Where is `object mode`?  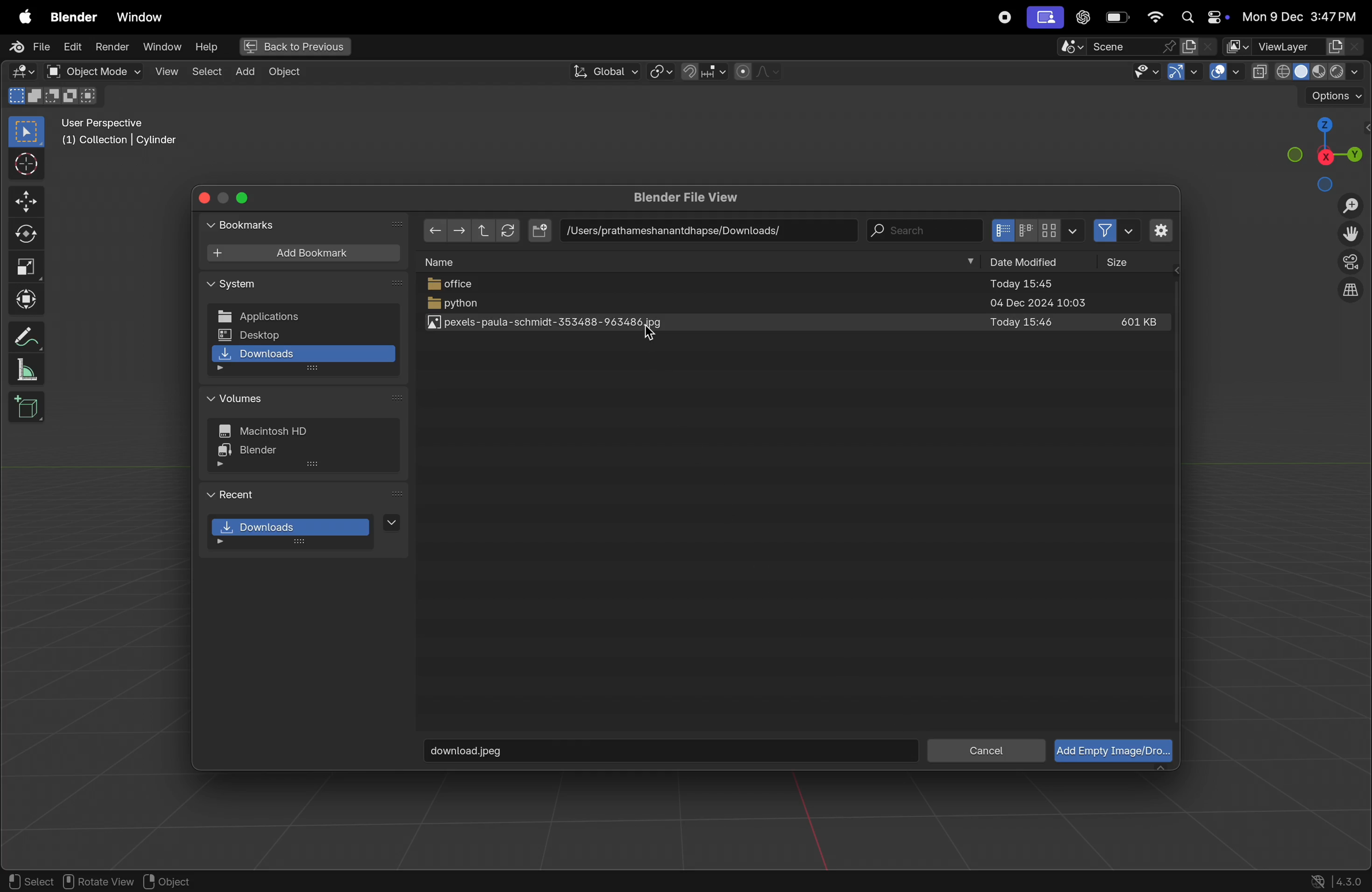
object mode is located at coordinates (91, 71).